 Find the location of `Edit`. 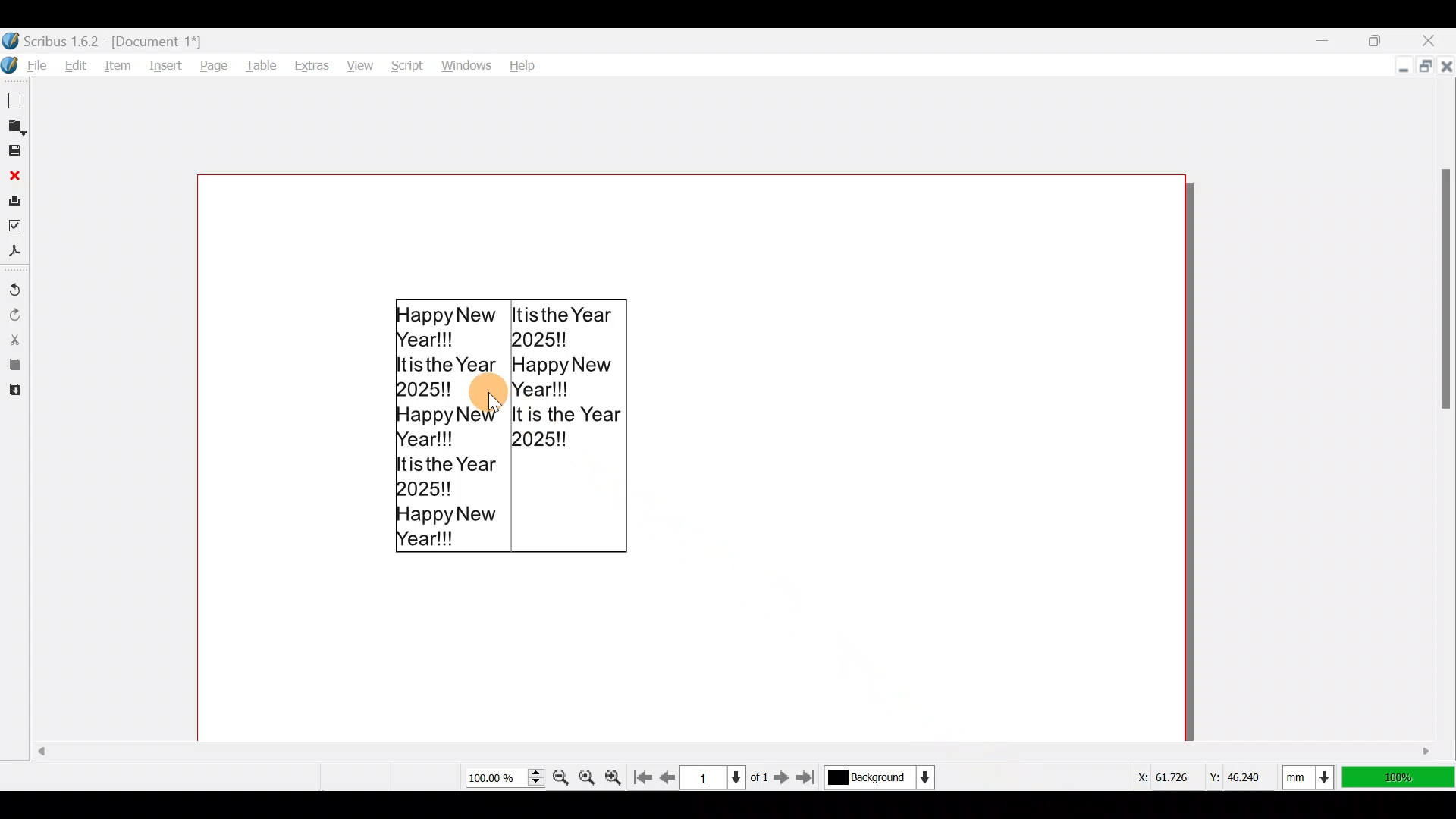

Edit is located at coordinates (77, 65).